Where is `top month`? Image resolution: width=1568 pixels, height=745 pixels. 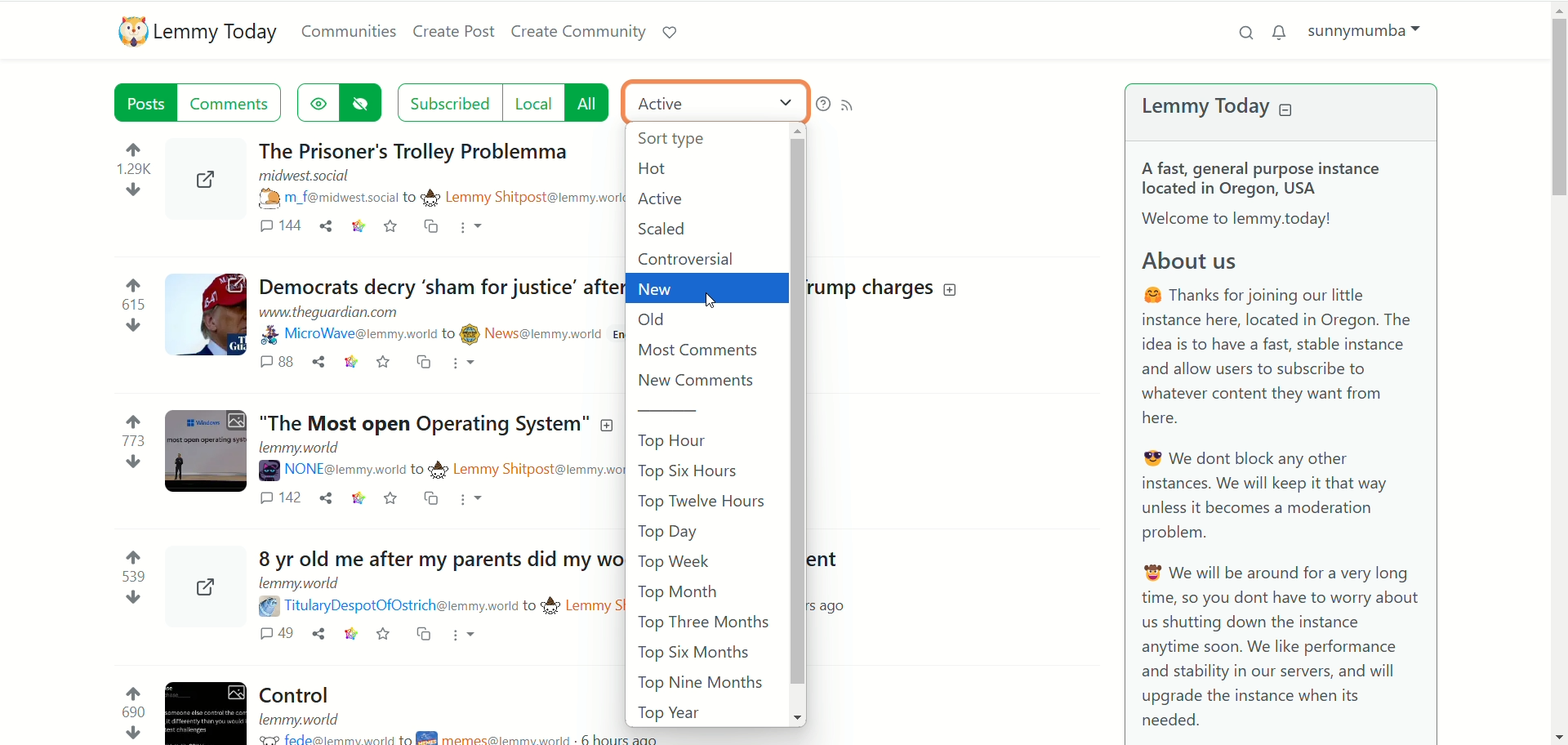 top month is located at coordinates (677, 592).